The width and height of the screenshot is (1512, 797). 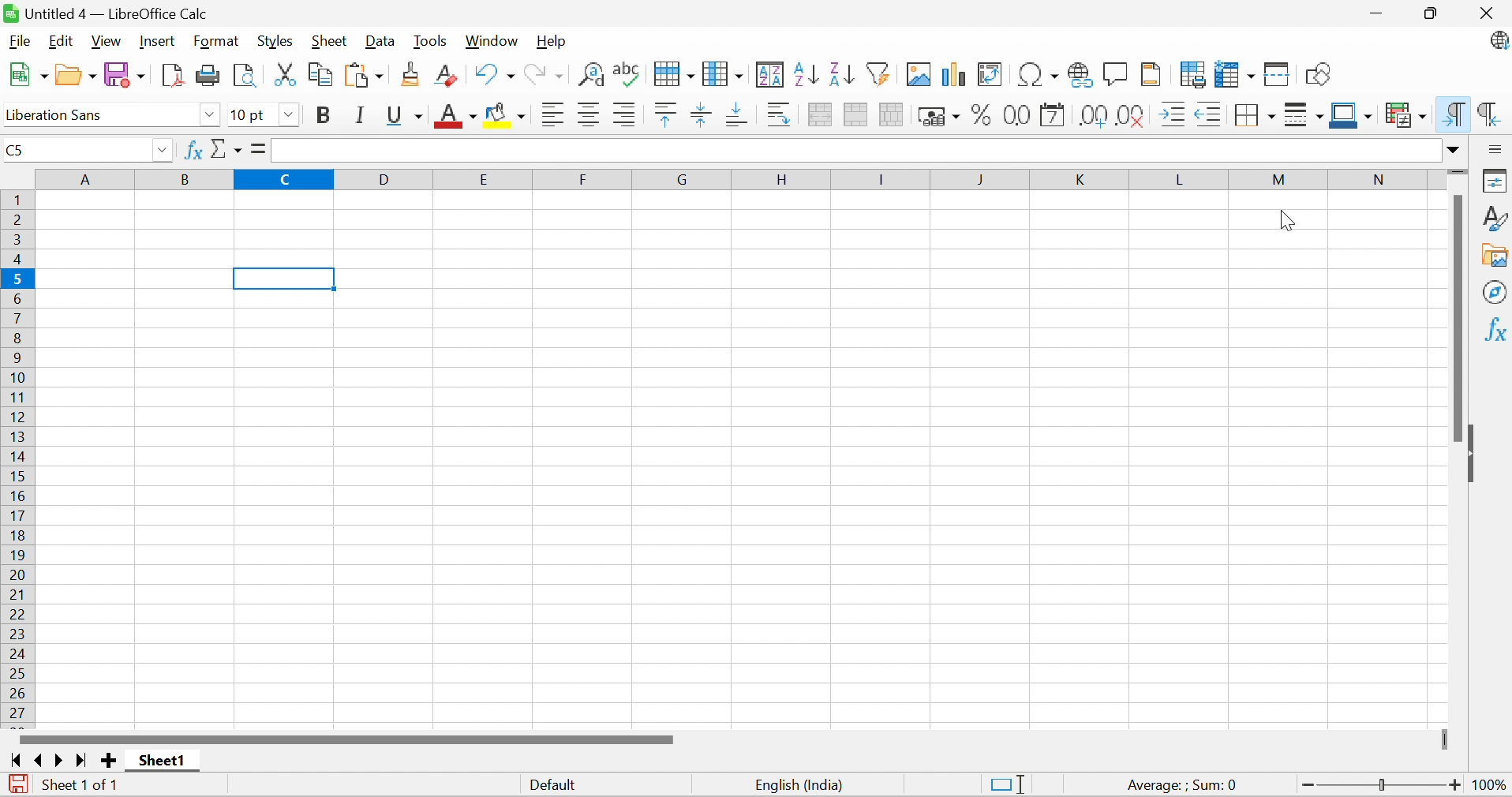 What do you see at coordinates (107, 42) in the screenshot?
I see `View` at bounding box center [107, 42].